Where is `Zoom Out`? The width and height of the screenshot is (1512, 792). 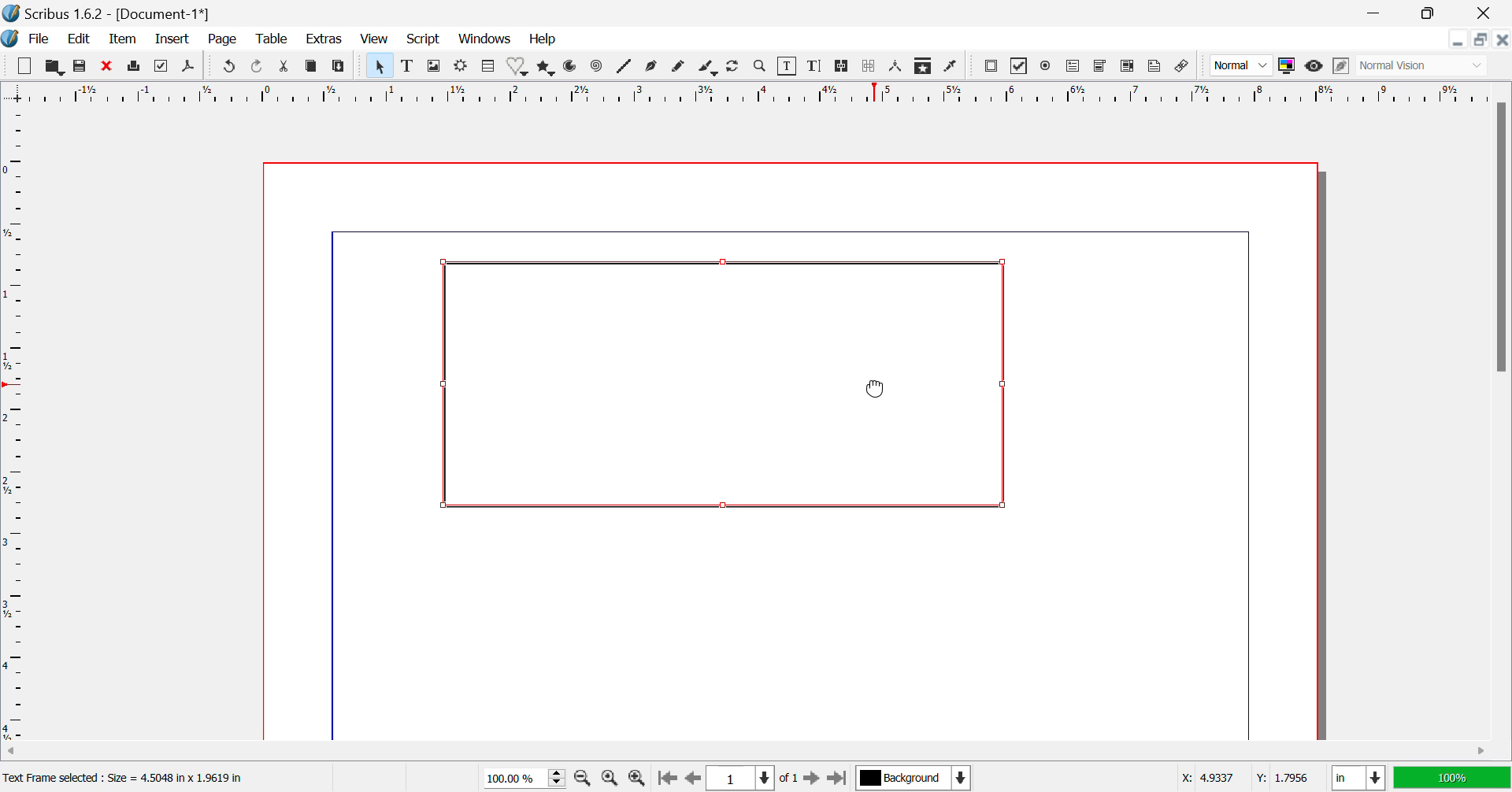
Zoom Out is located at coordinates (584, 779).